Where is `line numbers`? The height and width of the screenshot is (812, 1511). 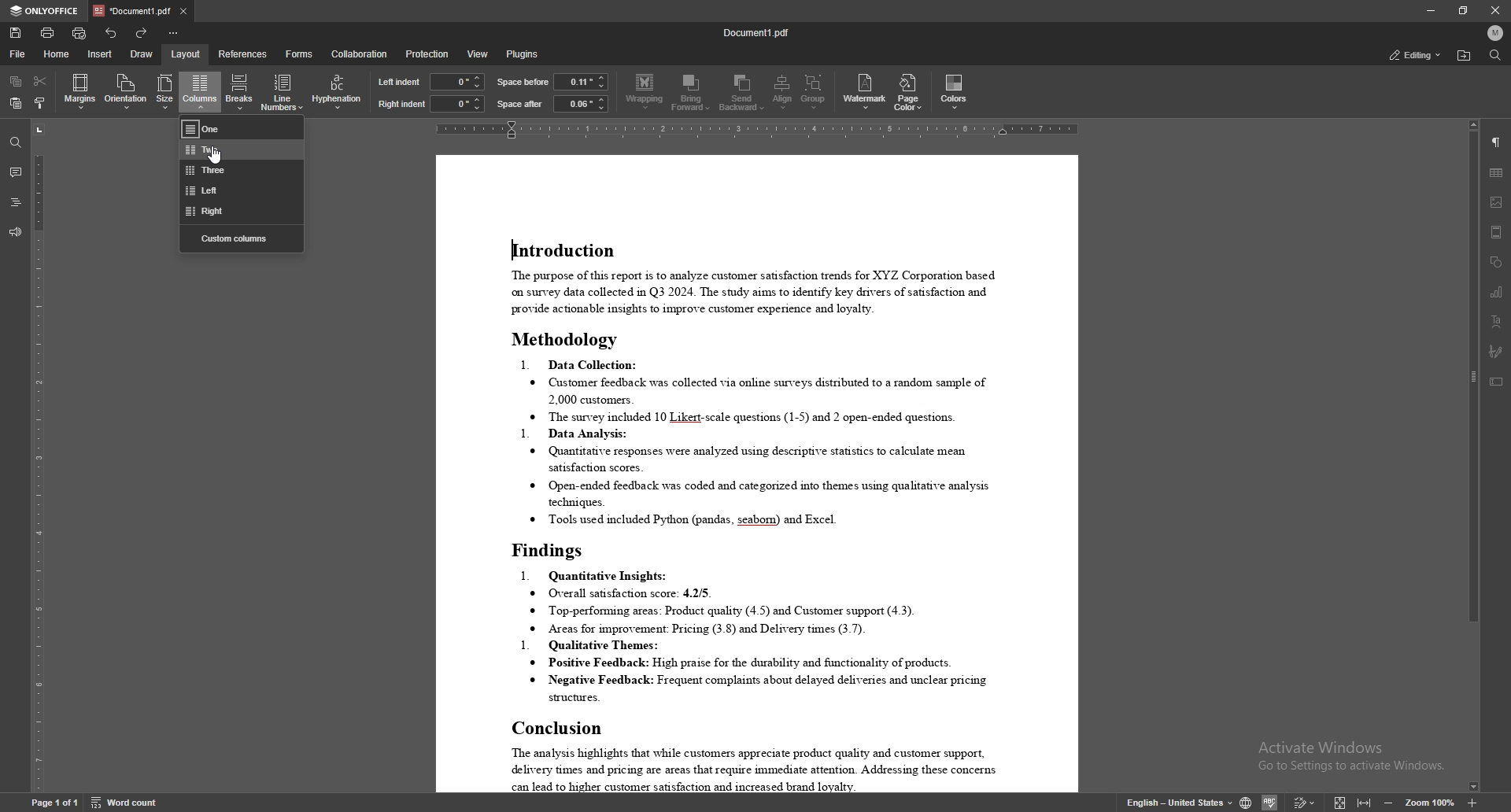
line numbers is located at coordinates (283, 92).